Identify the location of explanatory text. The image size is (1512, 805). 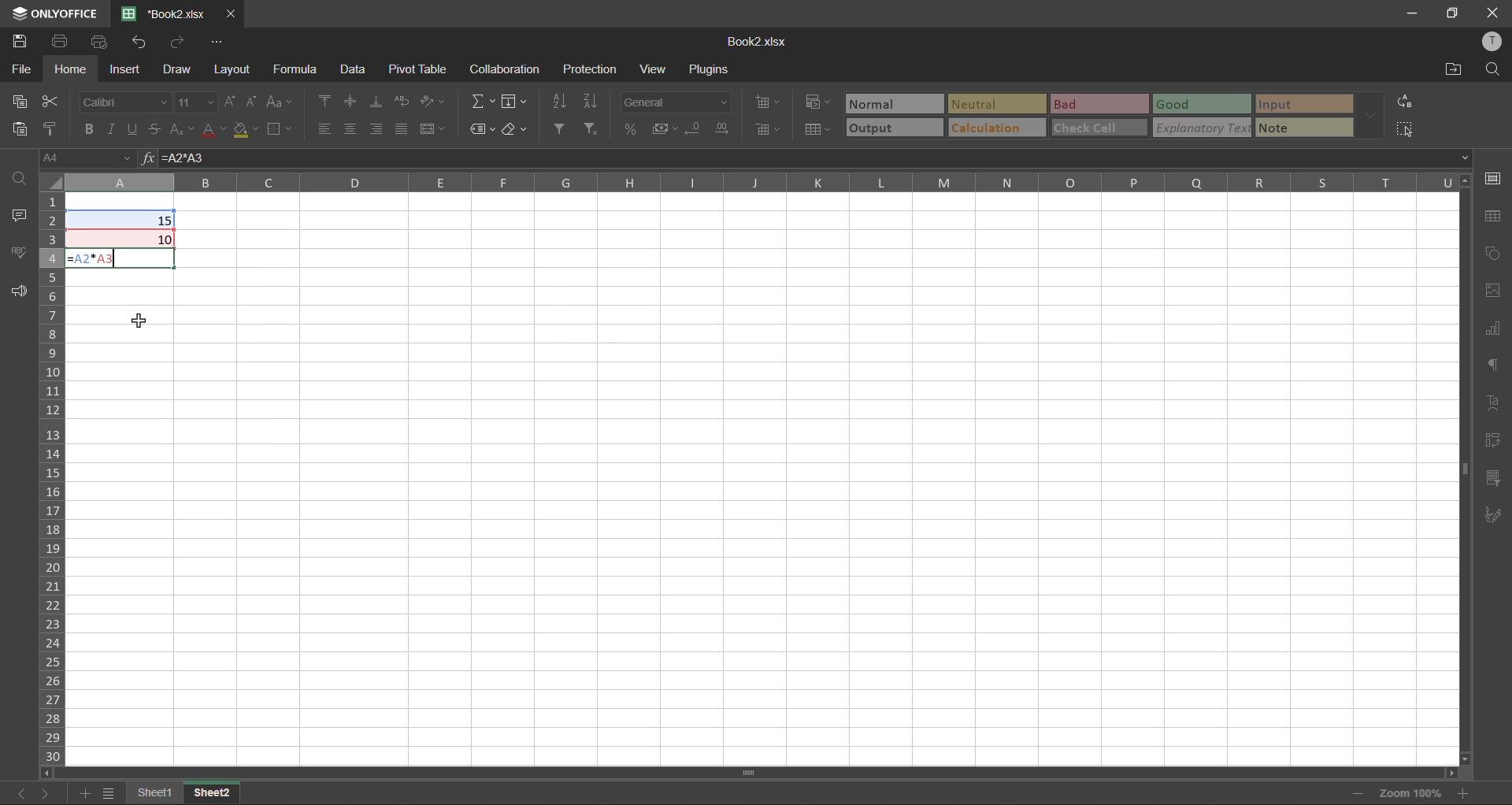
(1202, 127).